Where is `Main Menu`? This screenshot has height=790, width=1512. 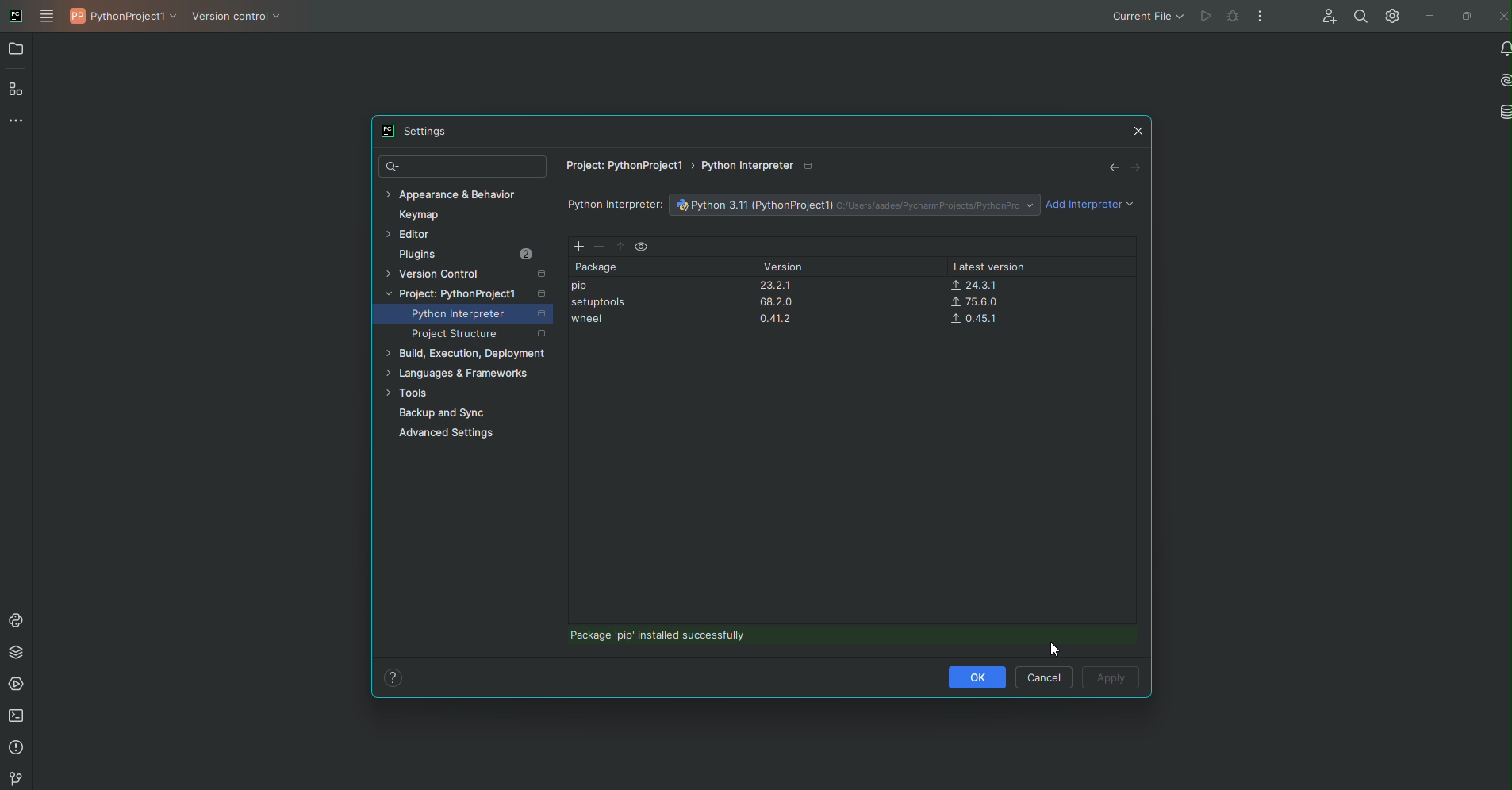 Main Menu is located at coordinates (49, 16).